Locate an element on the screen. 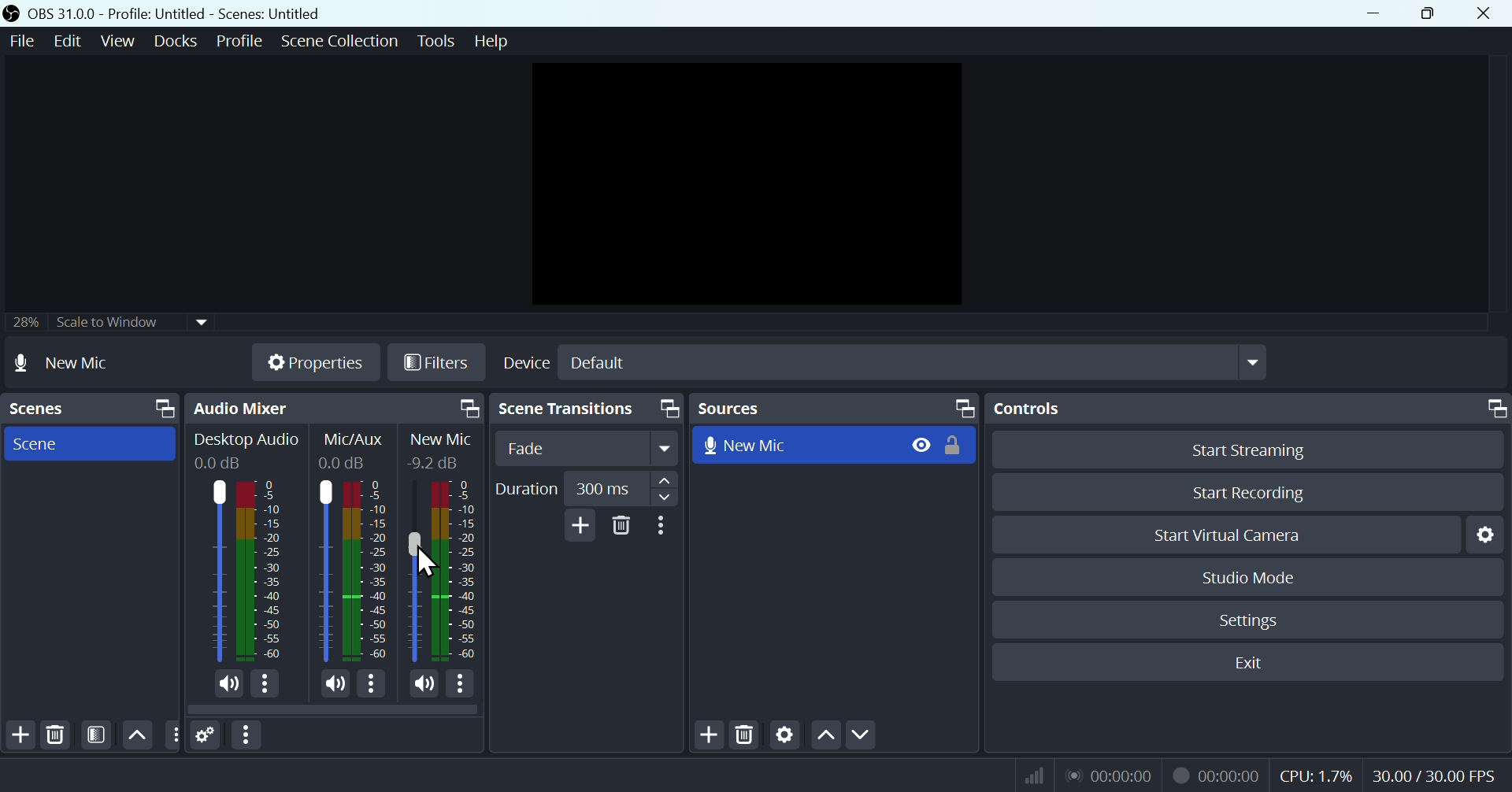 This screenshot has height=792, width=1512. Recording Status is located at coordinates (1217, 775).